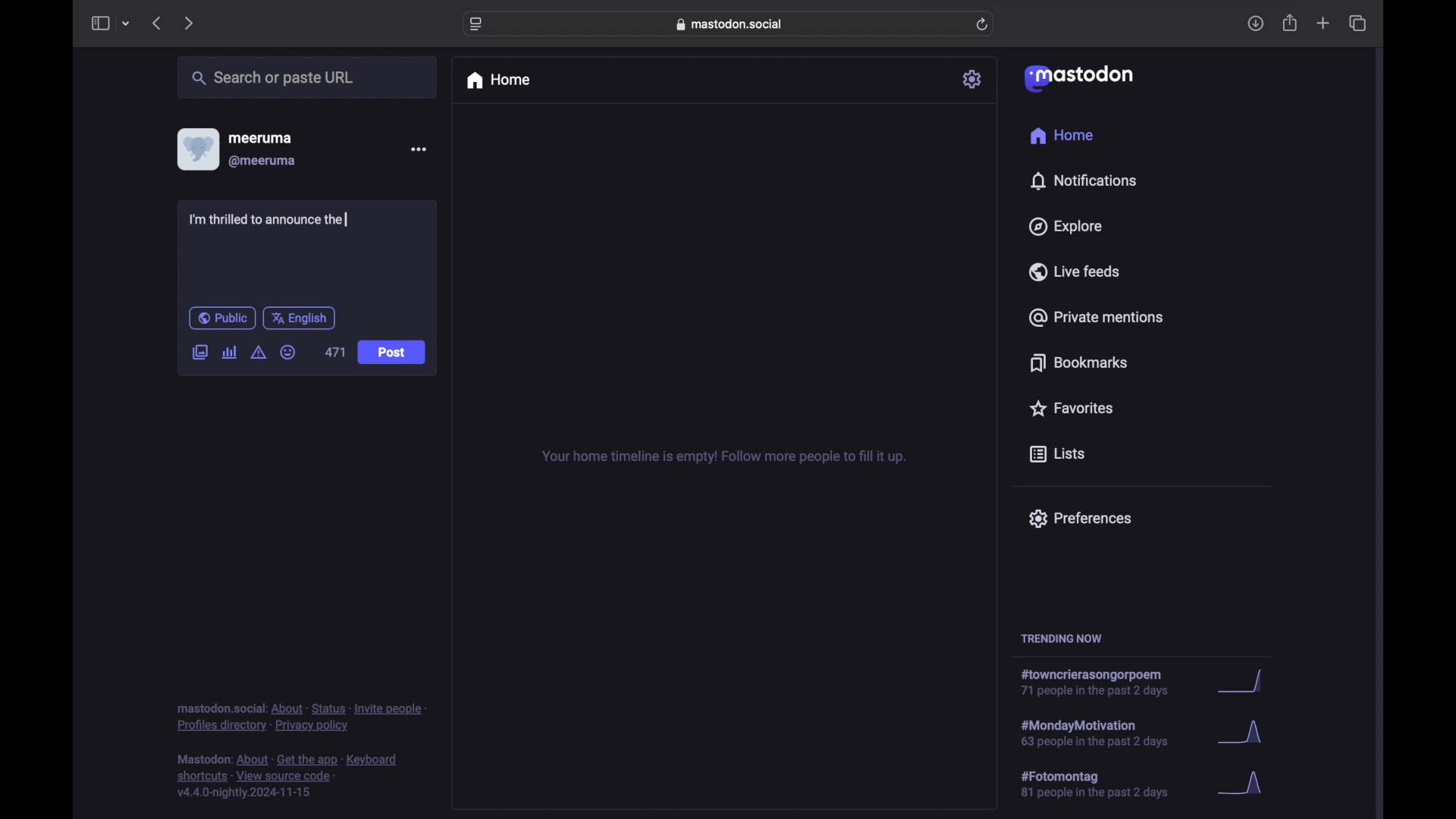 The image size is (1456, 819). What do you see at coordinates (299, 319) in the screenshot?
I see `english` at bounding box center [299, 319].